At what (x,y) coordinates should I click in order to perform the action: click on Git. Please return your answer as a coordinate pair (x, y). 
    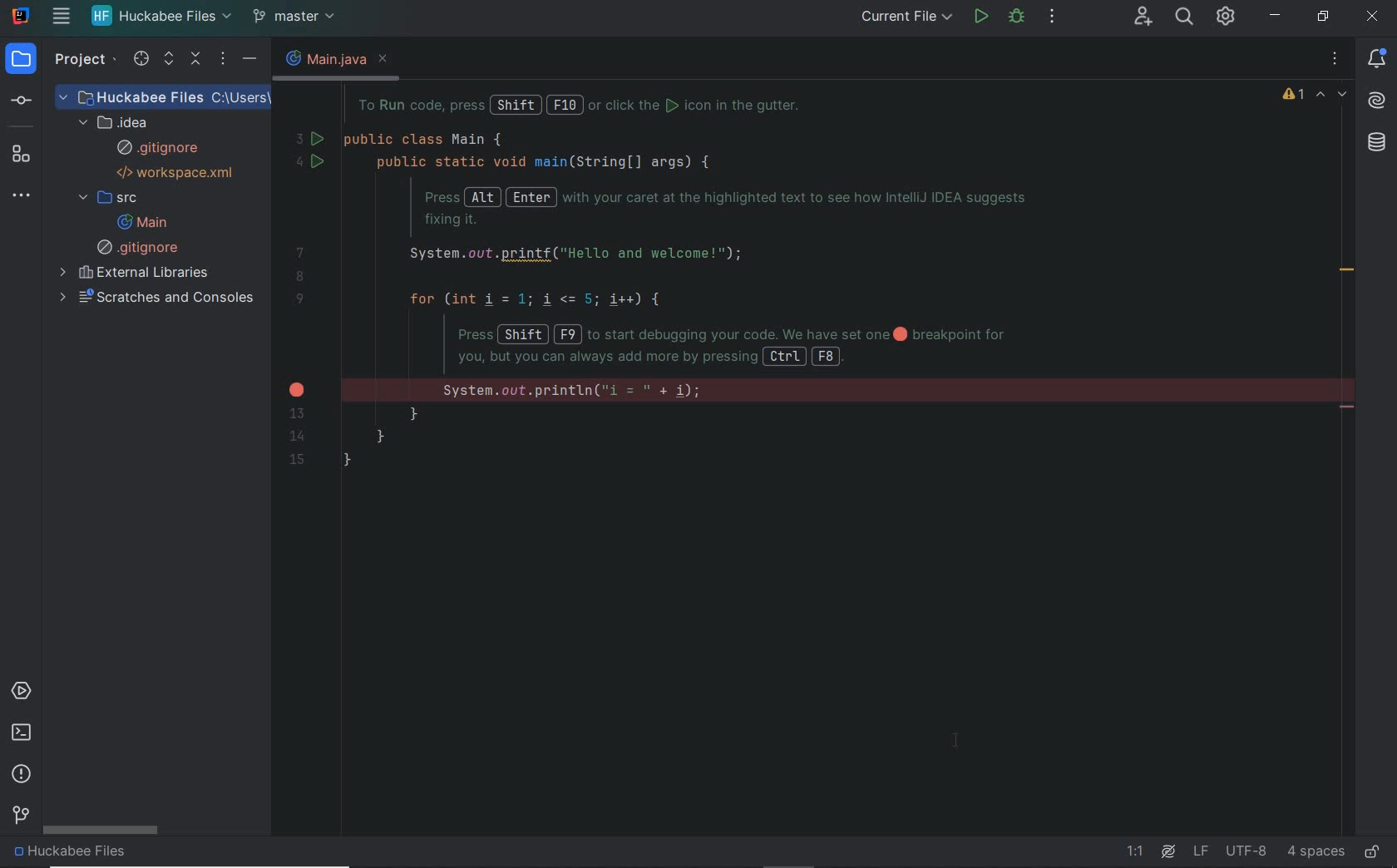
    Looking at the image, I should click on (19, 817).